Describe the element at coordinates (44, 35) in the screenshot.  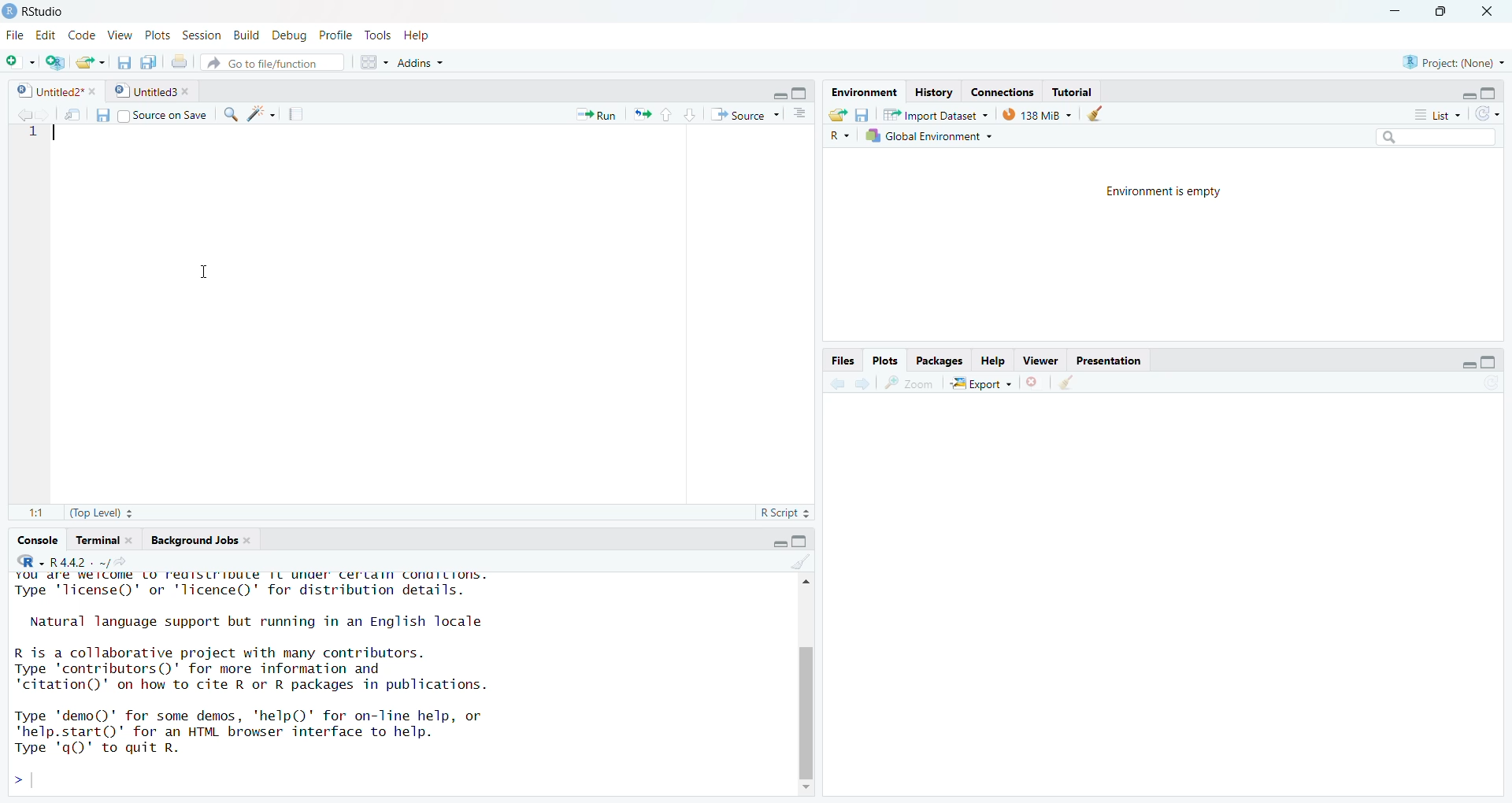
I see `Edit` at that location.